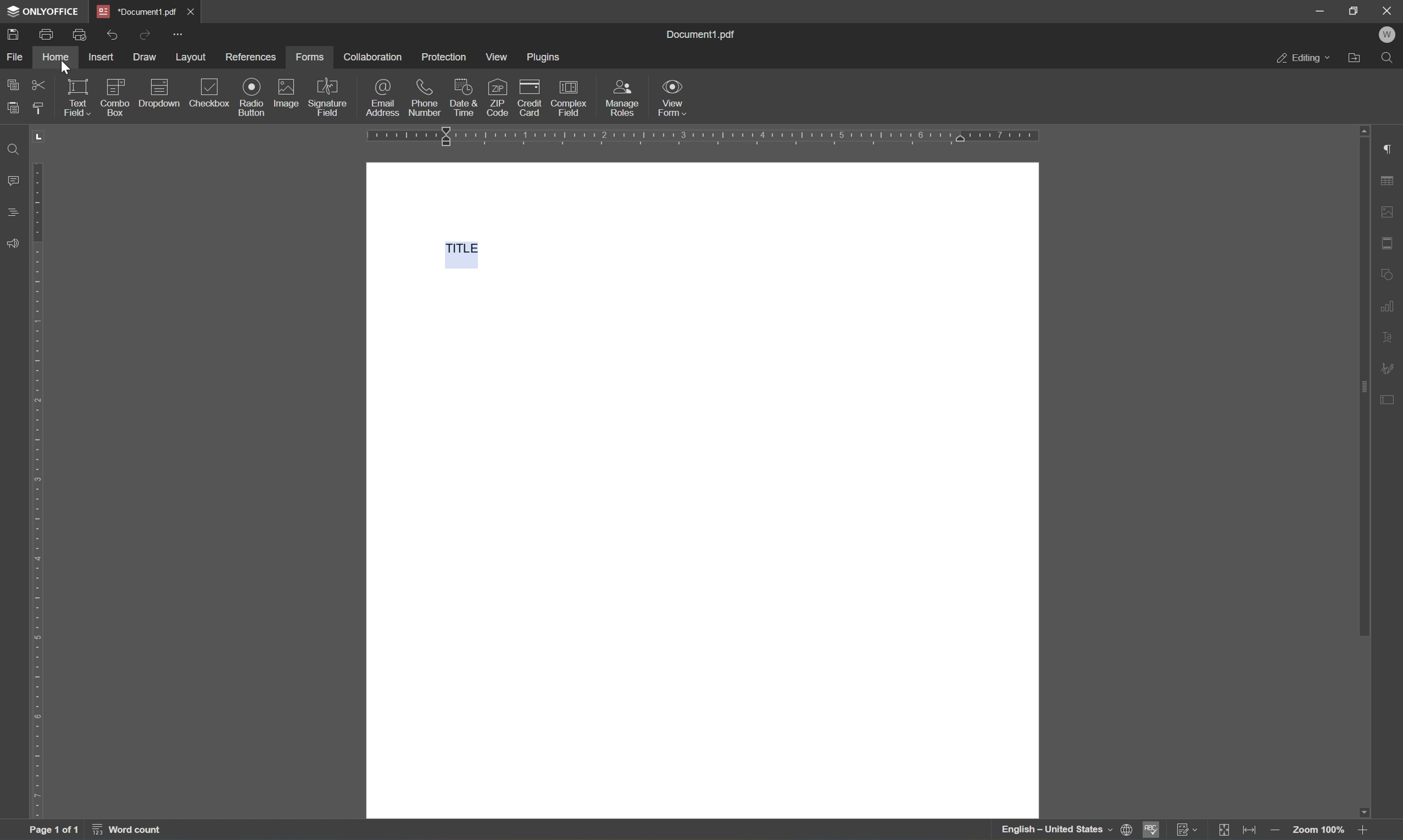 The height and width of the screenshot is (840, 1403). I want to click on view form, so click(675, 98).